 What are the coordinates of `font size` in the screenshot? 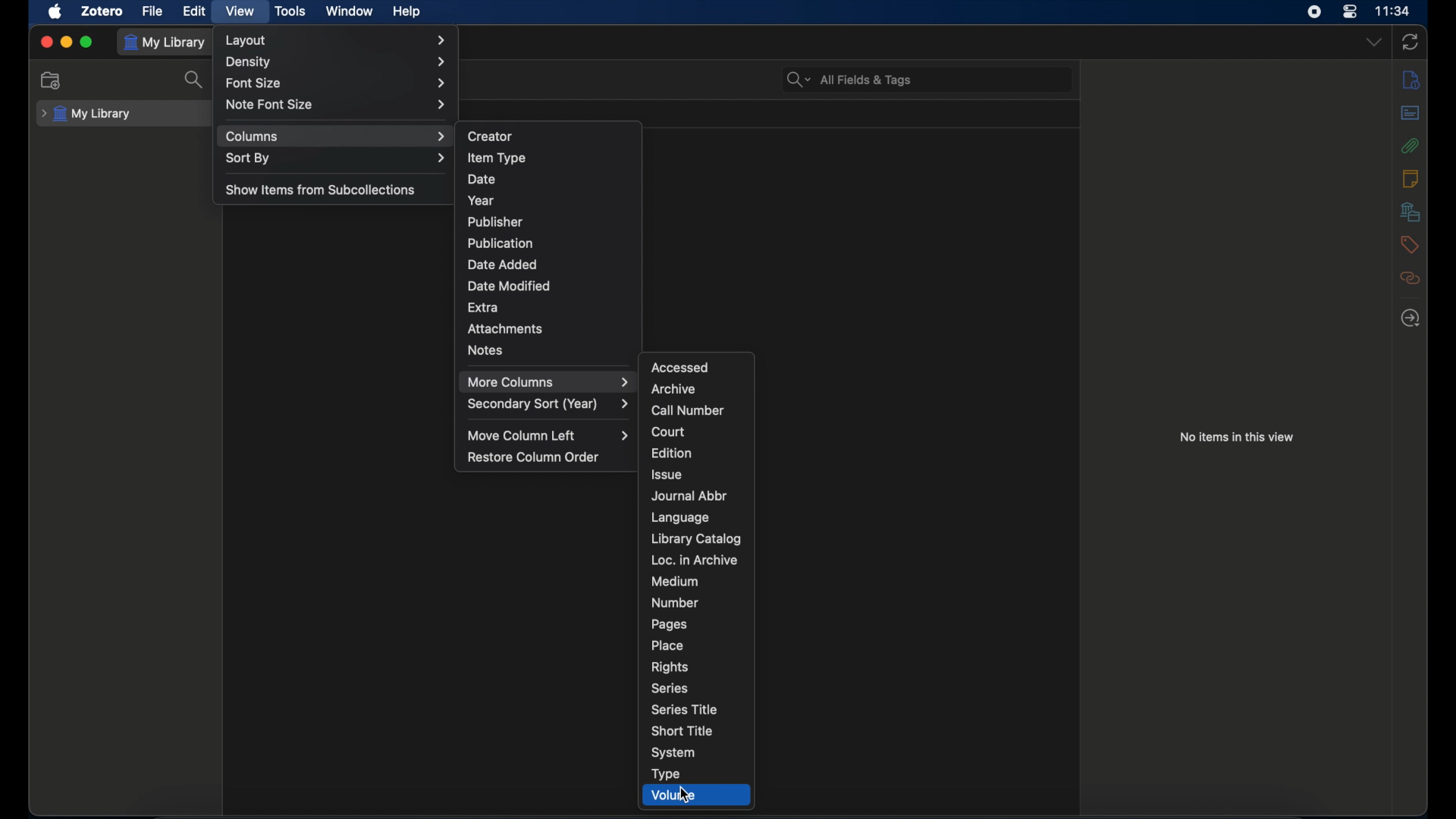 It's located at (340, 83).